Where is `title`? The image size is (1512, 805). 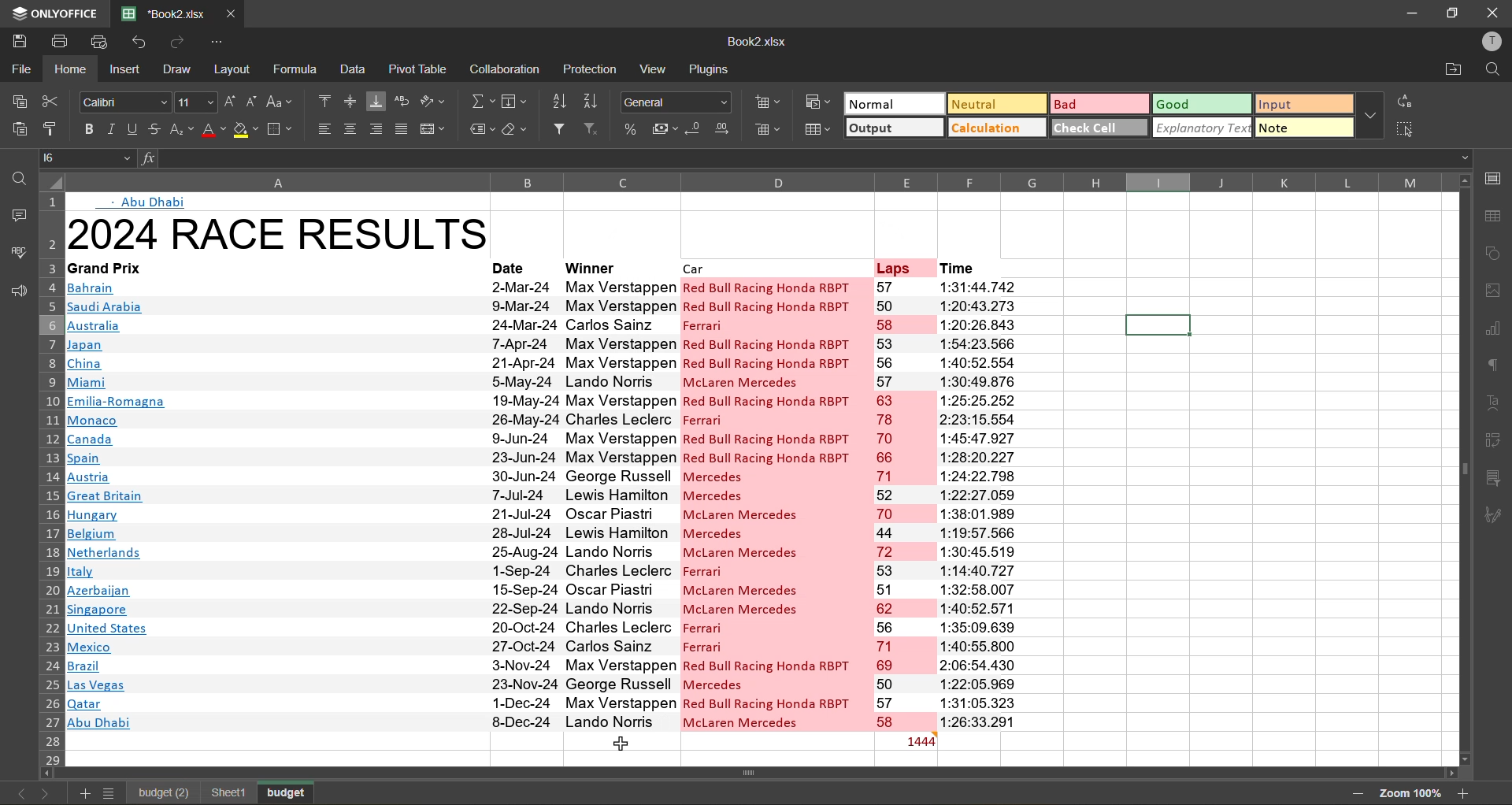
title is located at coordinates (279, 233).